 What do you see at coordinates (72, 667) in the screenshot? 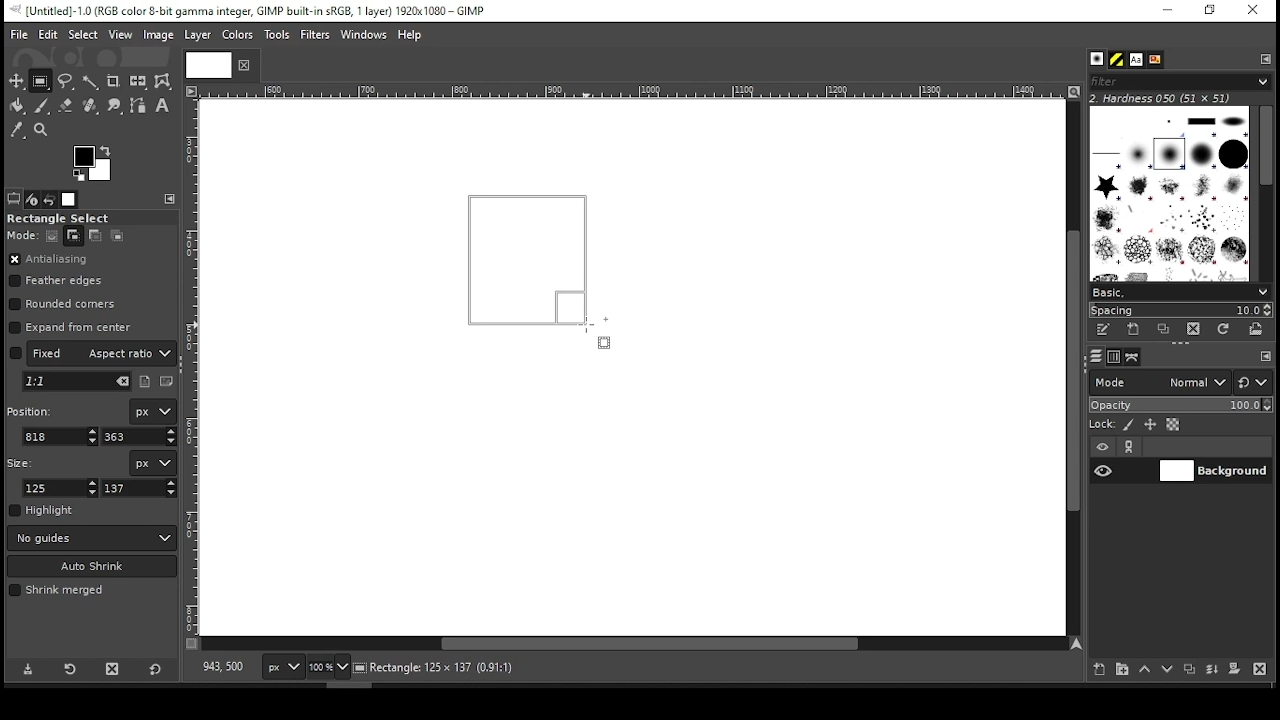
I see `restore tool preset` at bounding box center [72, 667].